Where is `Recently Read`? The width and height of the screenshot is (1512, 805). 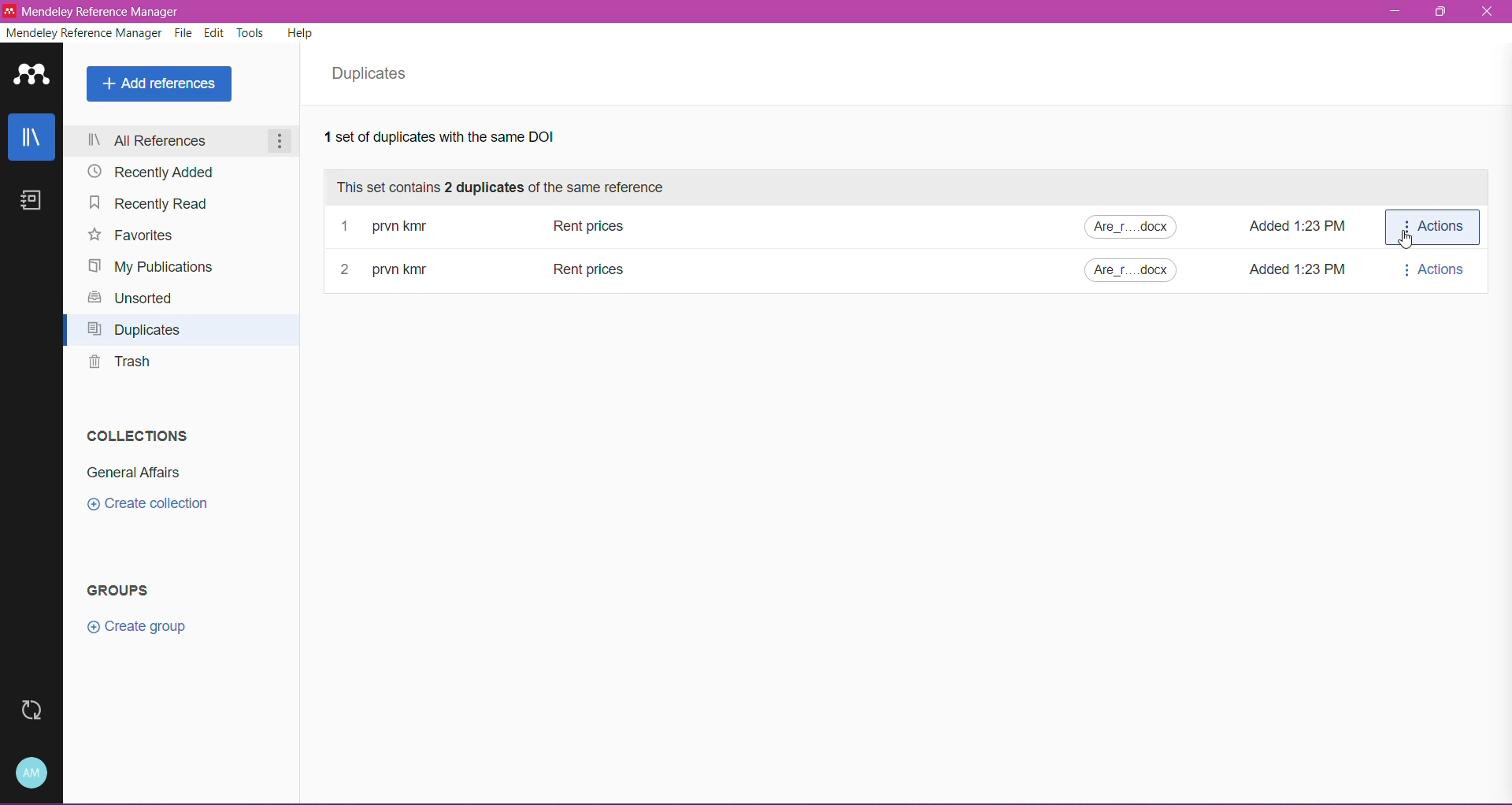 Recently Read is located at coordinates (156, 206).